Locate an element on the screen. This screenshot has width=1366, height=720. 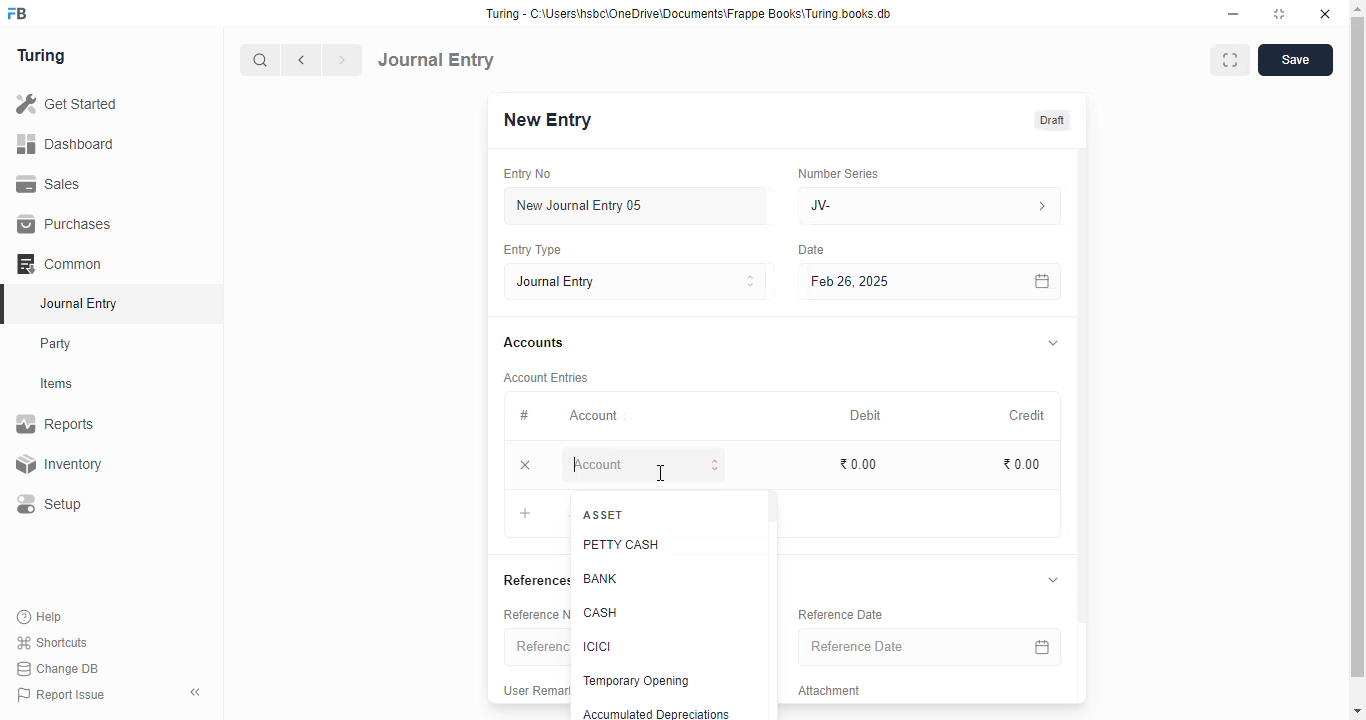
journal entry is located at coordinates (635, 281).